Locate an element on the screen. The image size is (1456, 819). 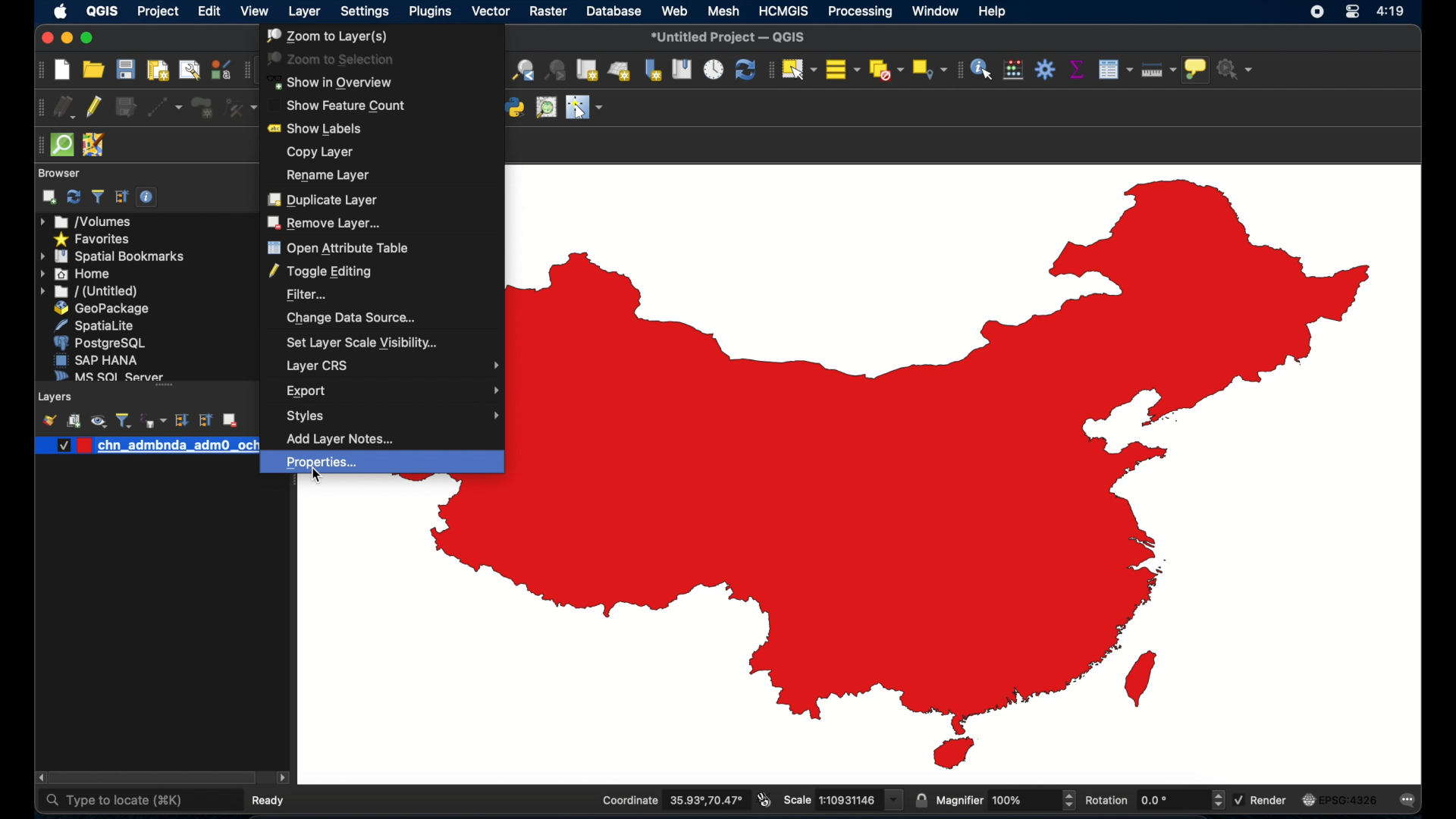
print layout is located at coordinates (156, 71).